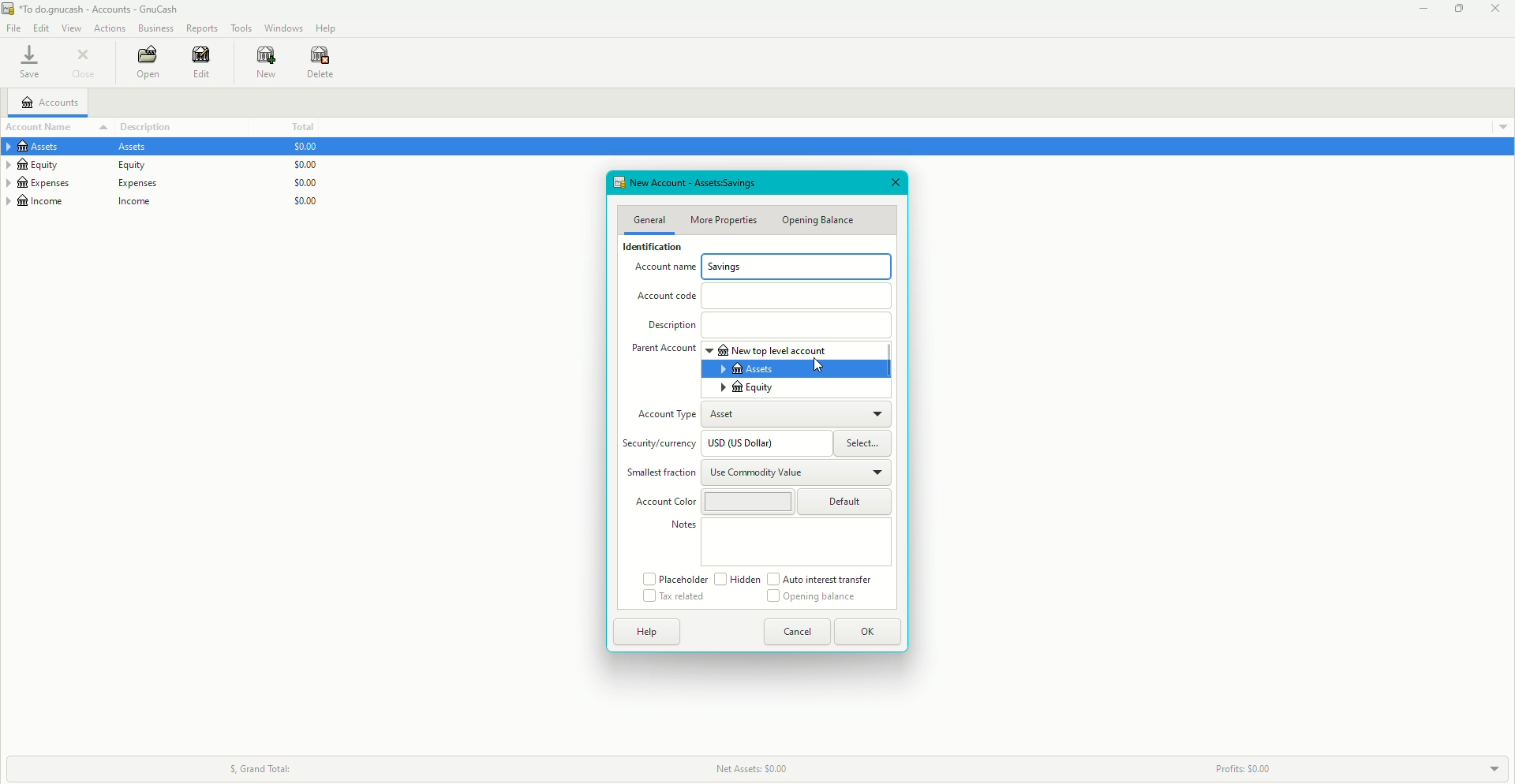 This screenshot has height=784, width=1515. What do you see at coordinates (671, 327) in the screenshot?
I see `Description` at bounding box center [671, 327].